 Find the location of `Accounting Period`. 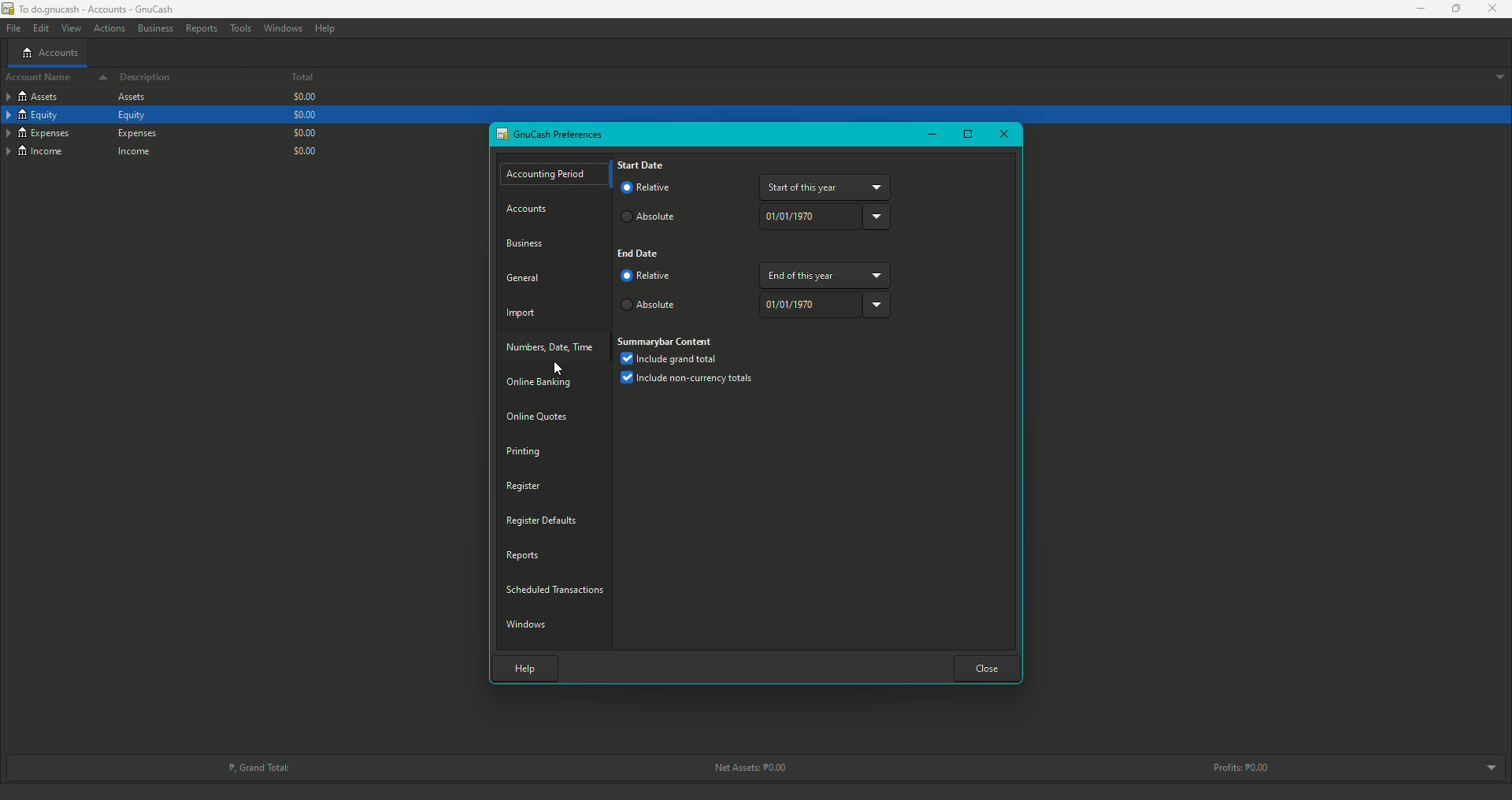

Accounting Period is located at coordinates (548, 175).